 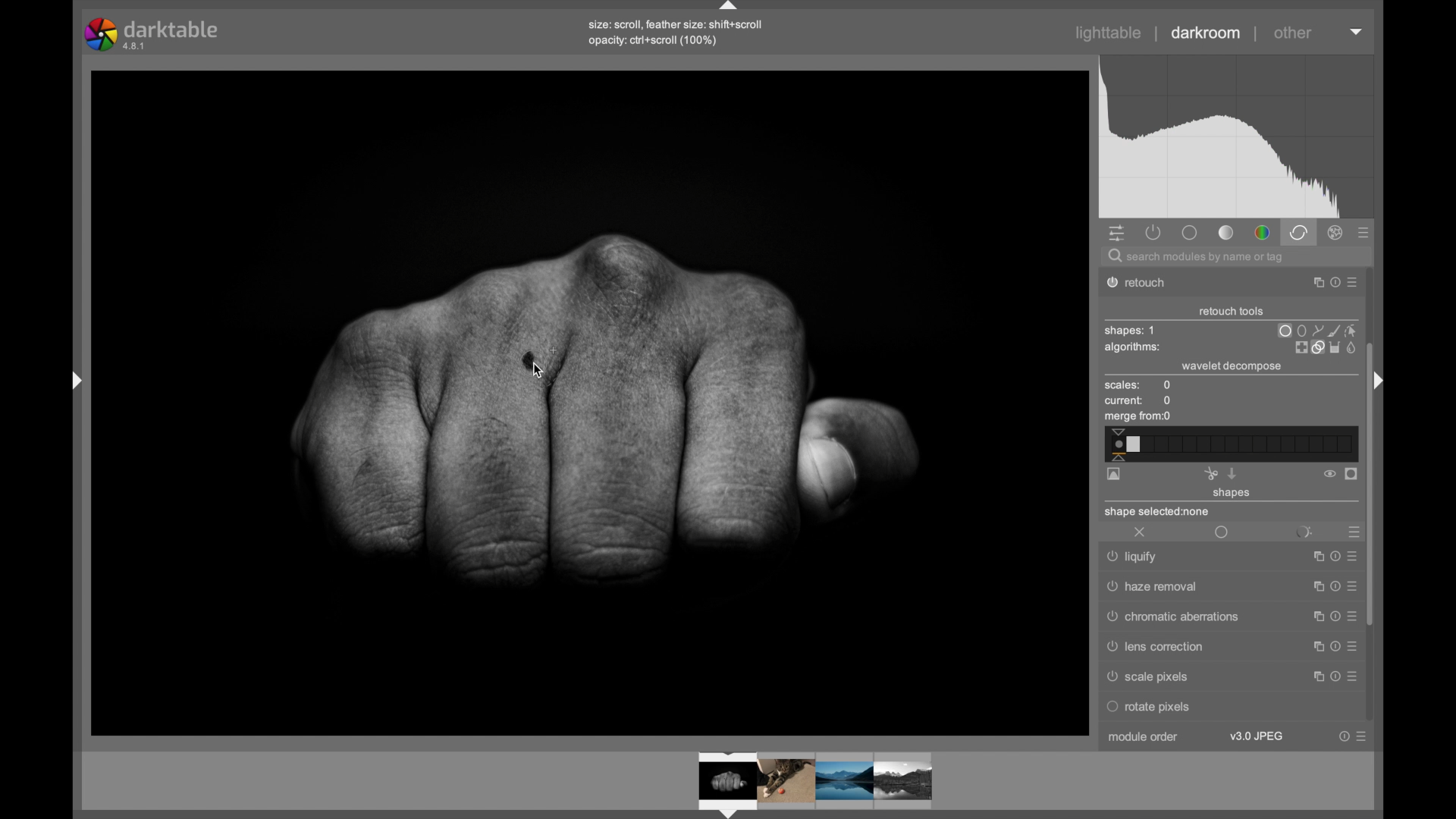 I want to click on paste, so click(x=1232, y=473).